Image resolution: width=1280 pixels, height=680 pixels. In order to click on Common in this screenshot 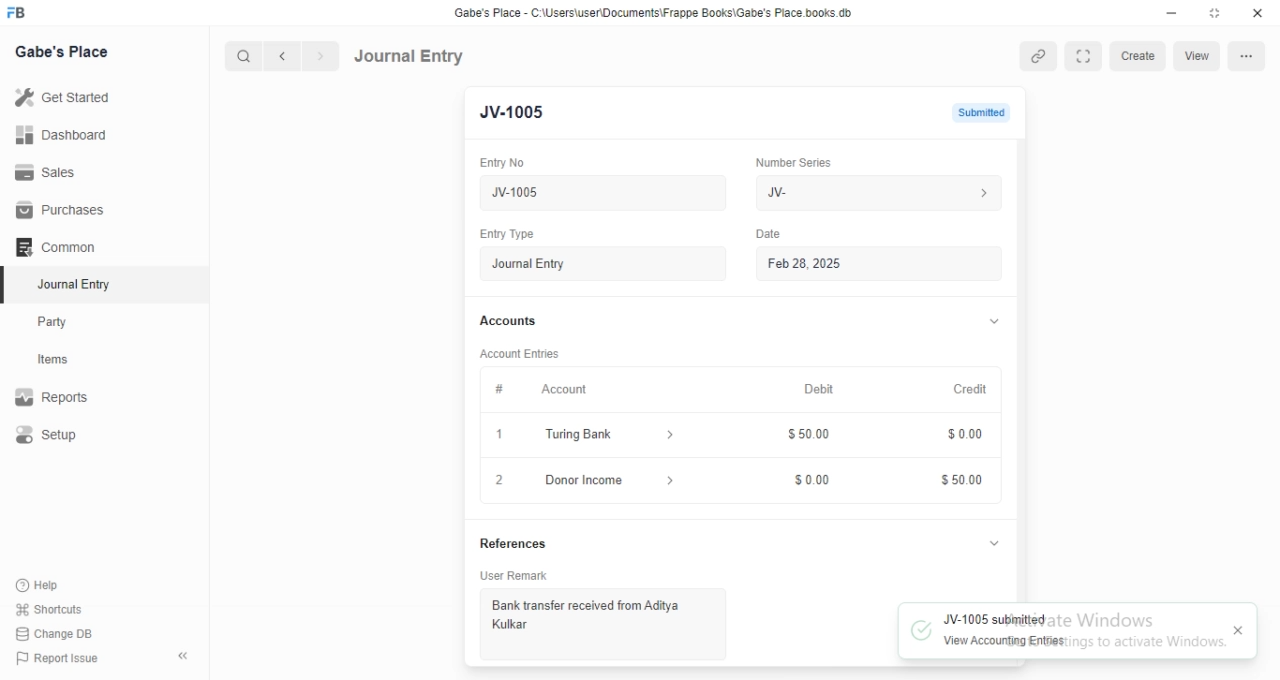, I will do `click(61, 247)`.